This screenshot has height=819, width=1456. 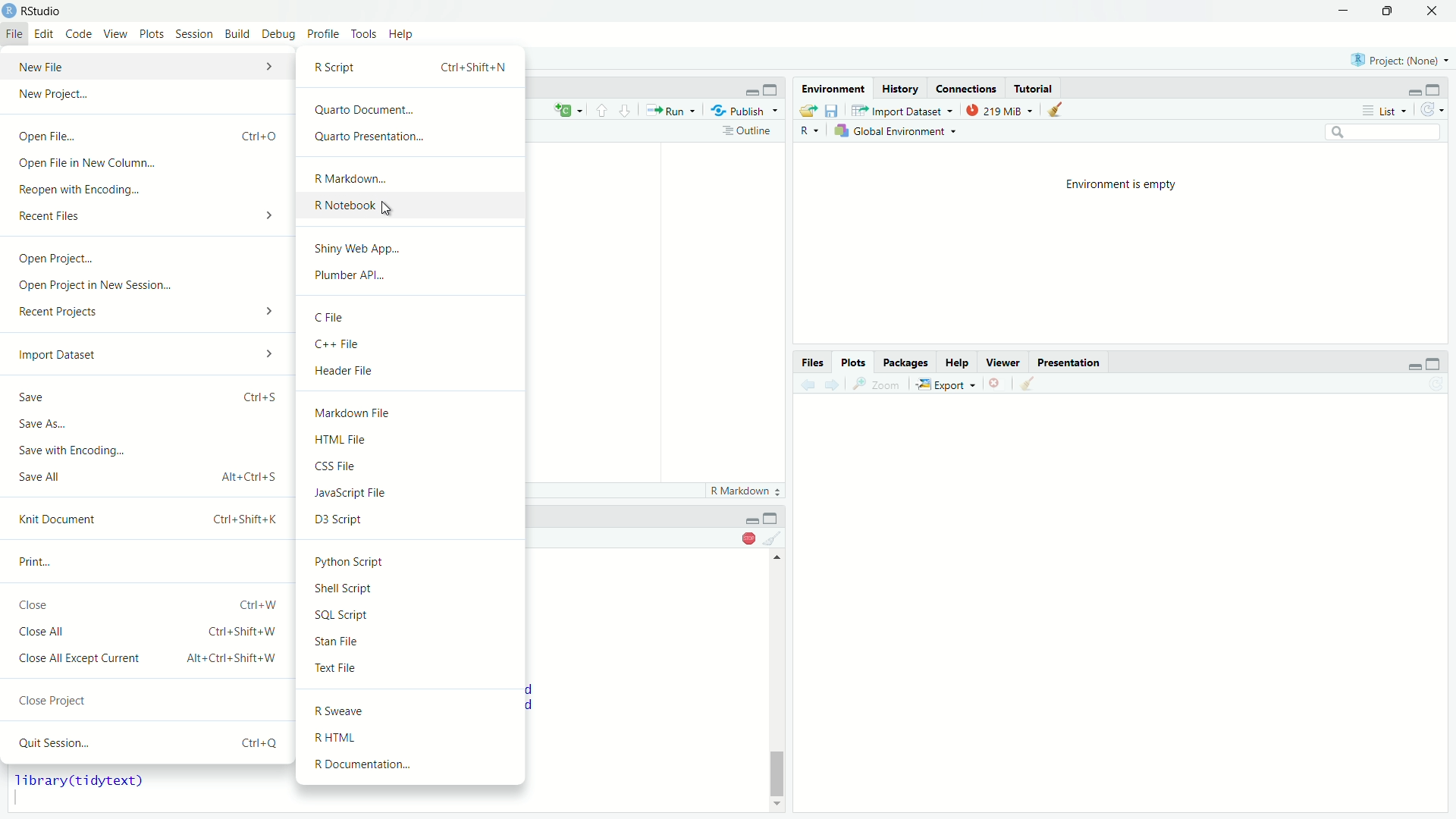 I want to click on Python Script, so click(x=412, y=560).